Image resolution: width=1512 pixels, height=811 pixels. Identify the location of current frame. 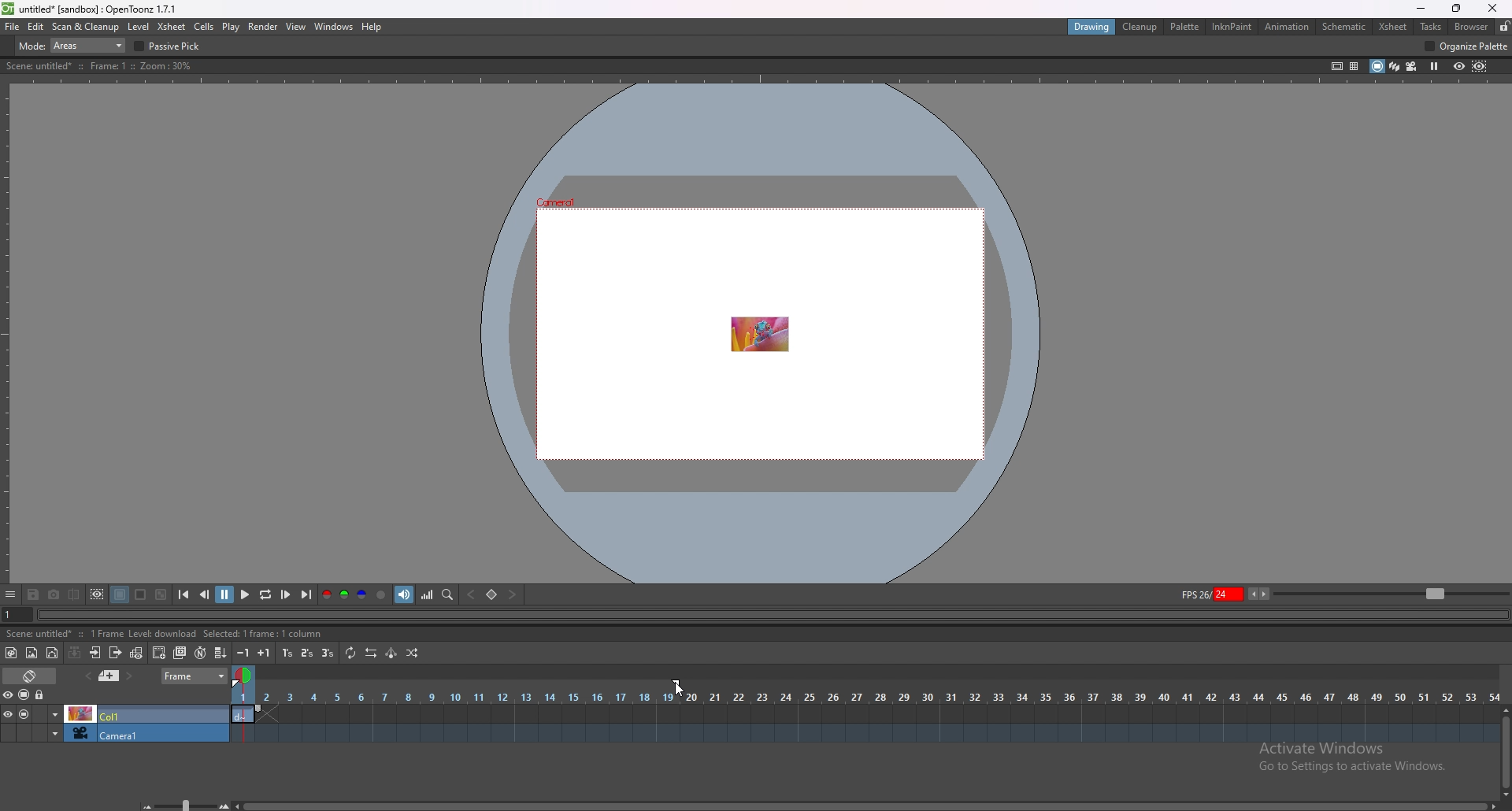
(13, 613).